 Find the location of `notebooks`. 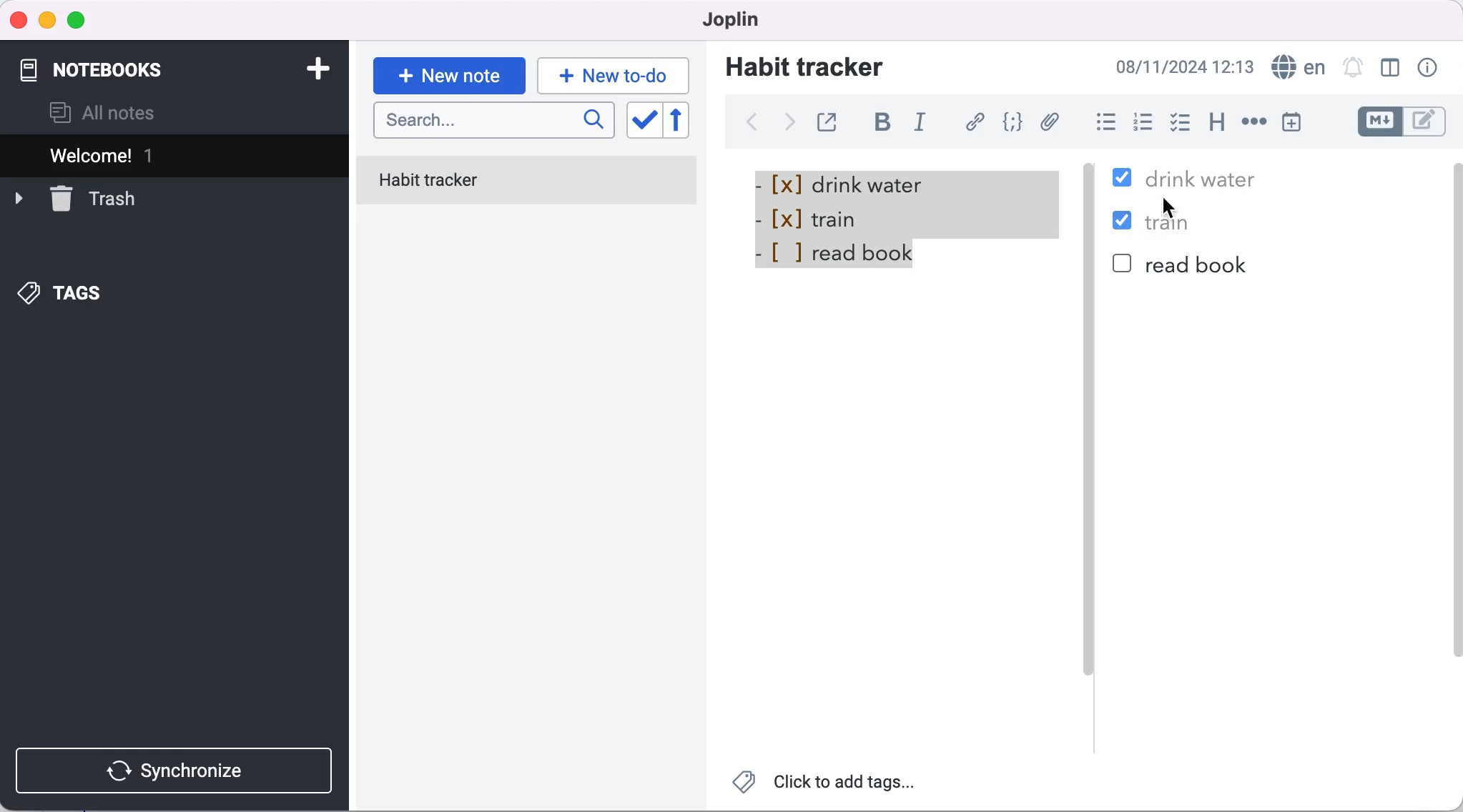

notebooks is located at coordinates (114, 63).